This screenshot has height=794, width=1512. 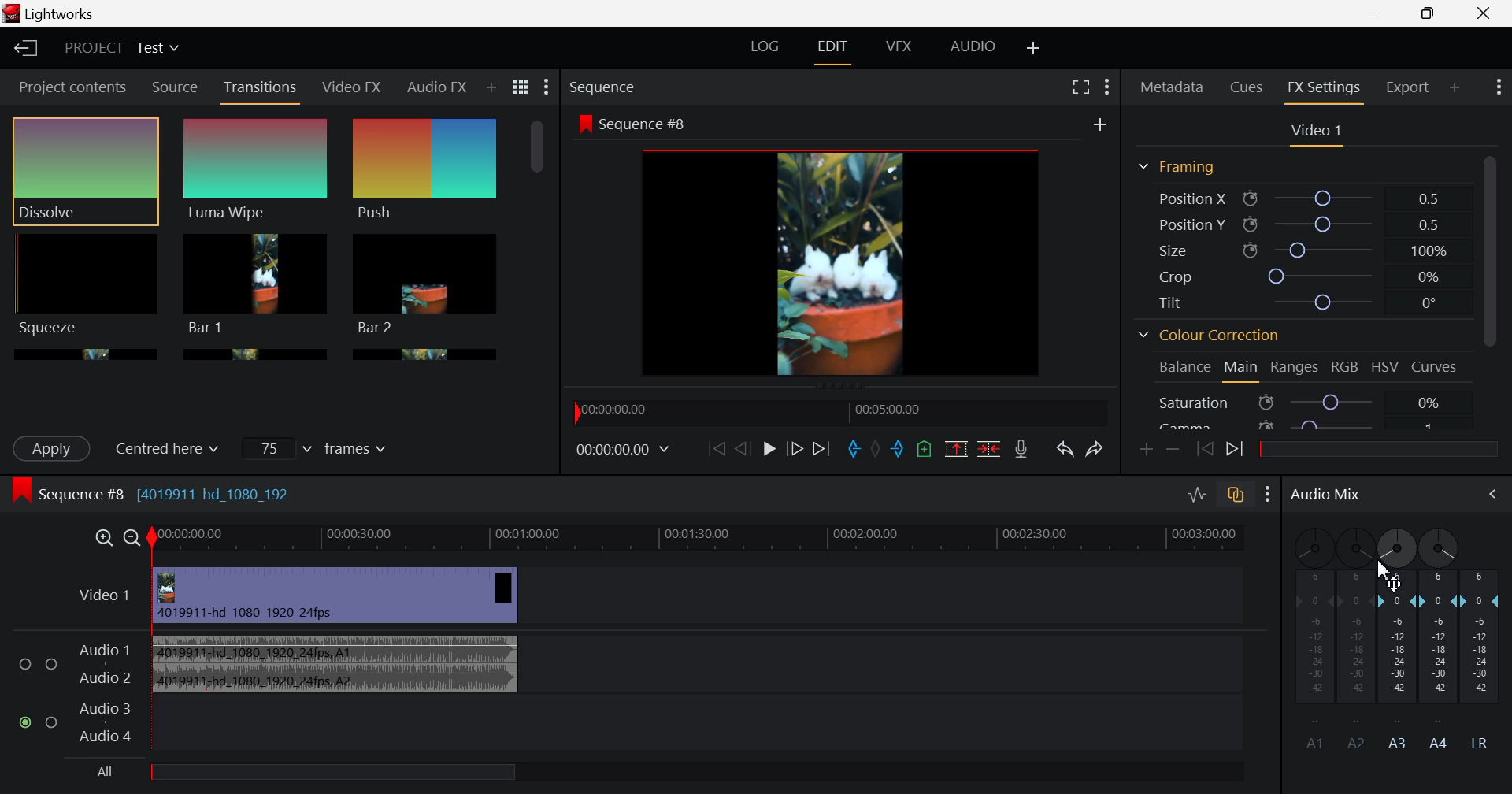 I want to click on Cues, so click(x=1247, y=87).